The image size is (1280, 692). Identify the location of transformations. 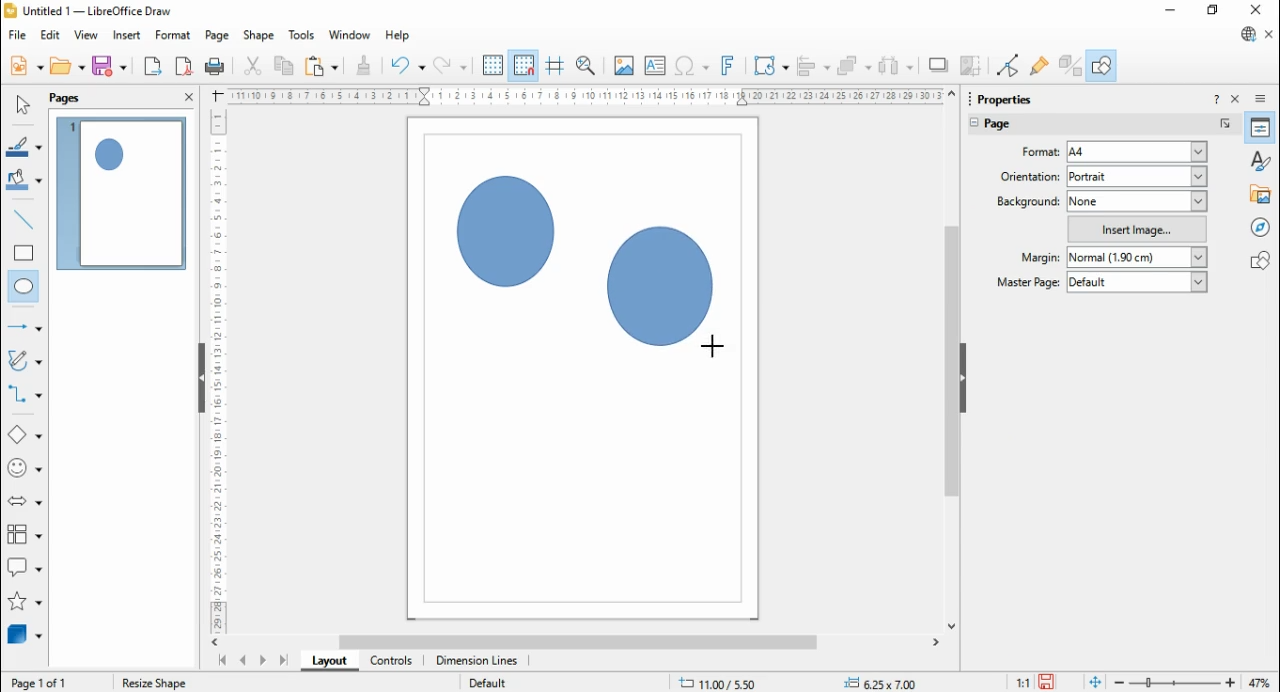
(769, 67).